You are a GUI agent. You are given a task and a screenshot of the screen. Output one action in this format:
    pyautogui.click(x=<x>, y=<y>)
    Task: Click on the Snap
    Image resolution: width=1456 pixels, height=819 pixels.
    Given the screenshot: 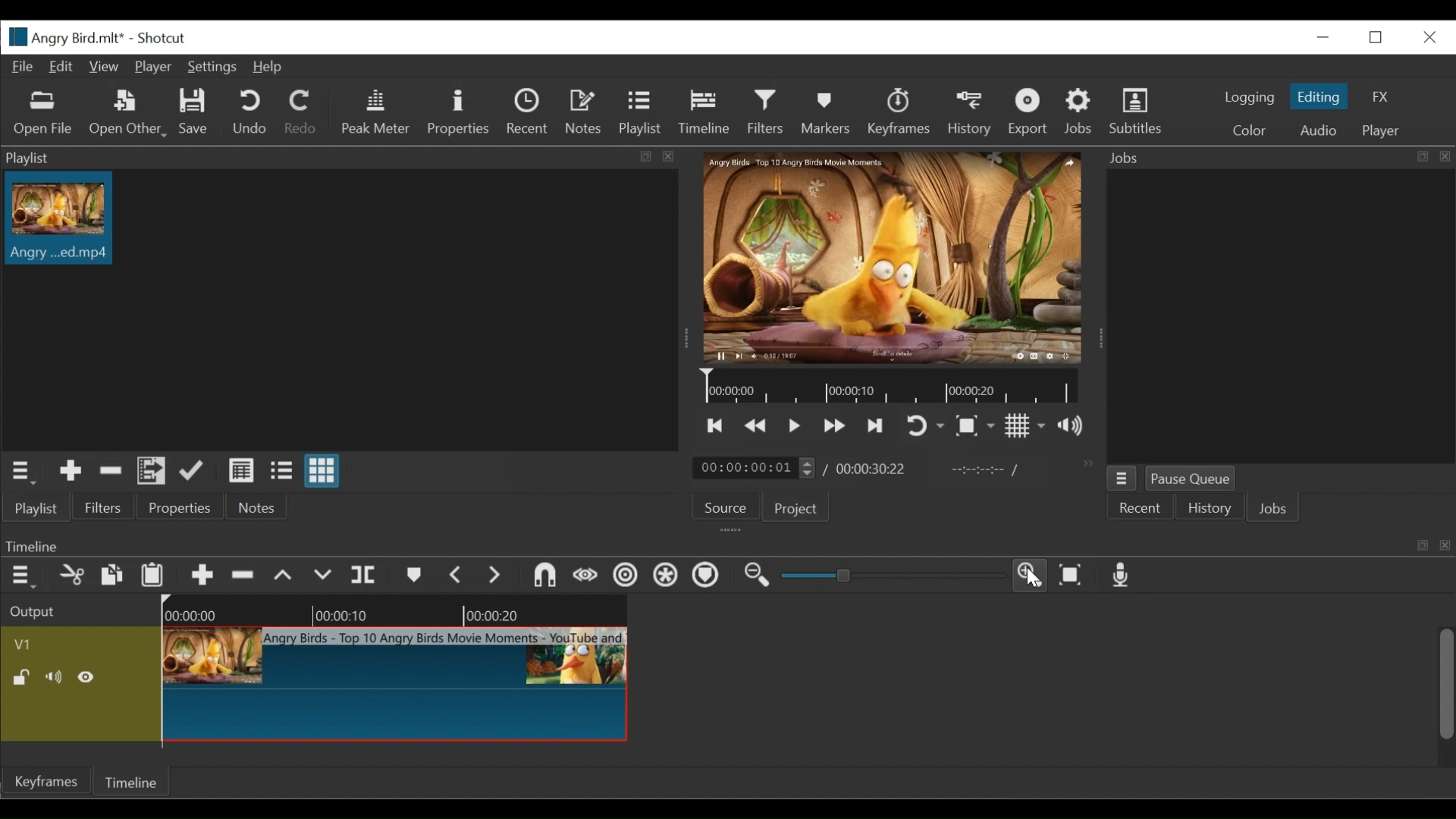 What is the action you would take?
    pyautogui.click(x=544, y=576)
    